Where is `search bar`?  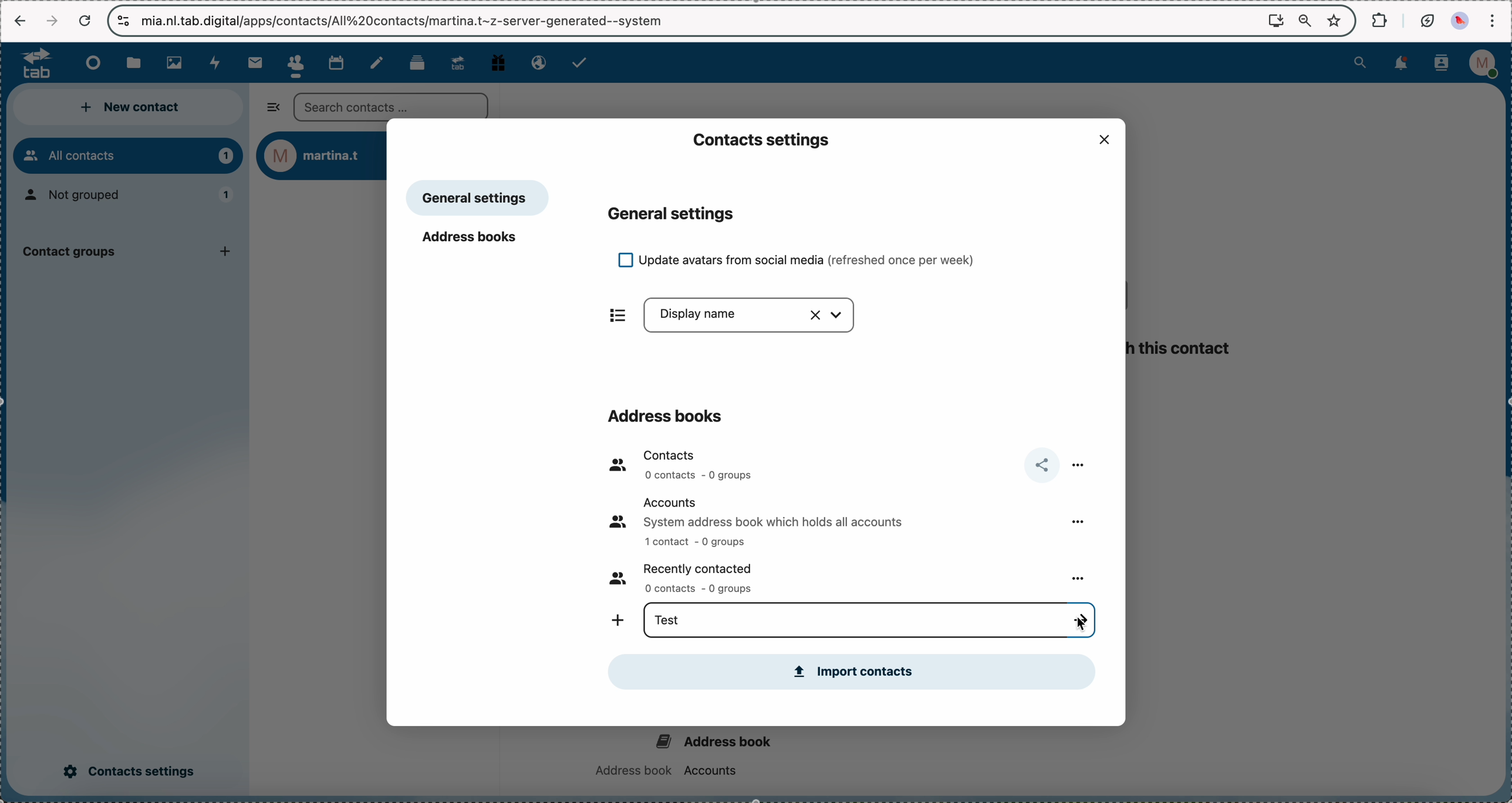
search bar is located at coordinates (391, 105).